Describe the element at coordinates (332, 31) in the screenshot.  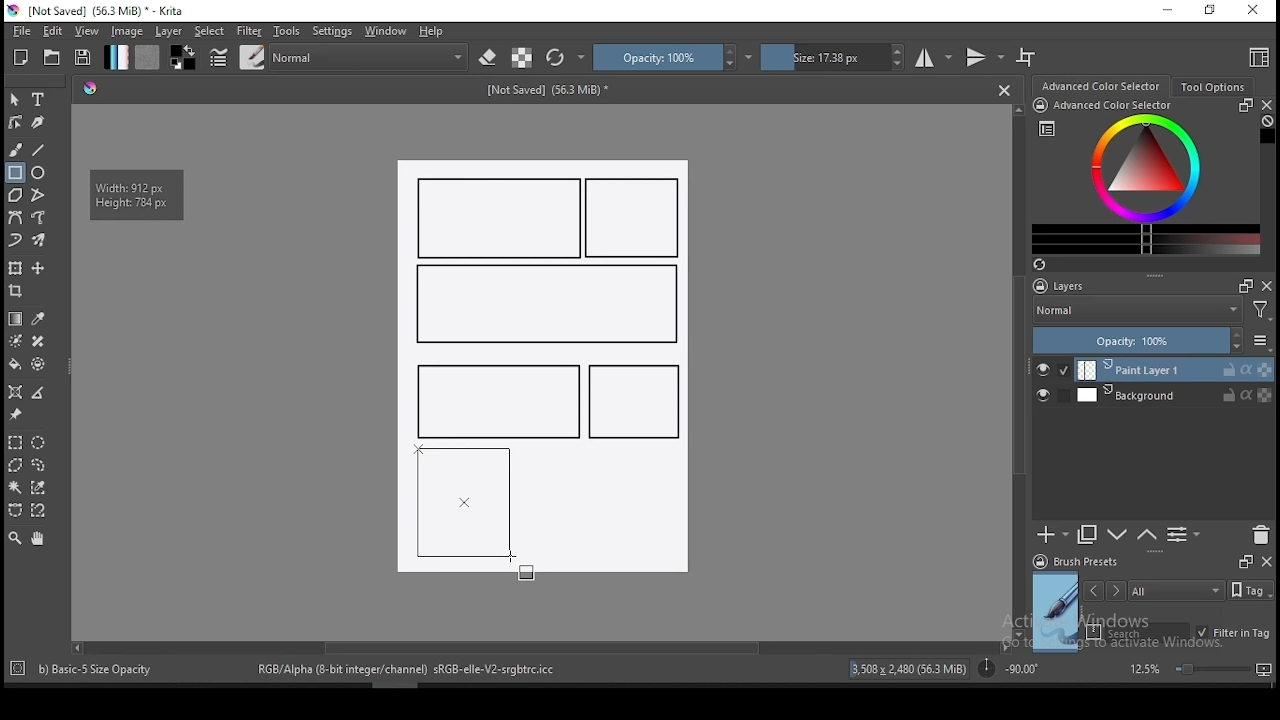
I see `settings` at that location.